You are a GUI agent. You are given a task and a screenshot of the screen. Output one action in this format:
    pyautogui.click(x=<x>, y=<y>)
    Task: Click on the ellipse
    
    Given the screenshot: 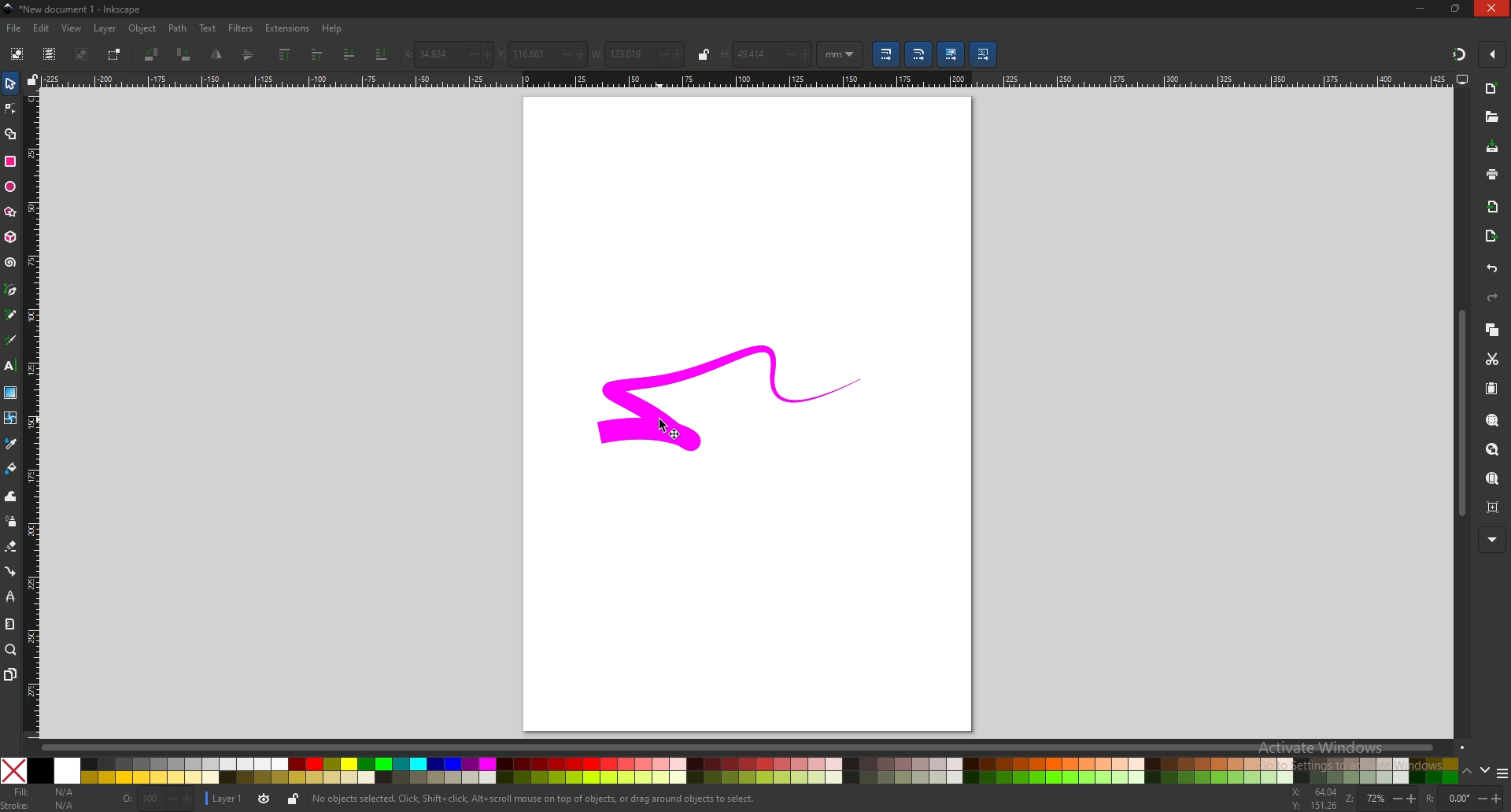 What is the action you would take?
    pyautogui.click(x=10, y=187)
    